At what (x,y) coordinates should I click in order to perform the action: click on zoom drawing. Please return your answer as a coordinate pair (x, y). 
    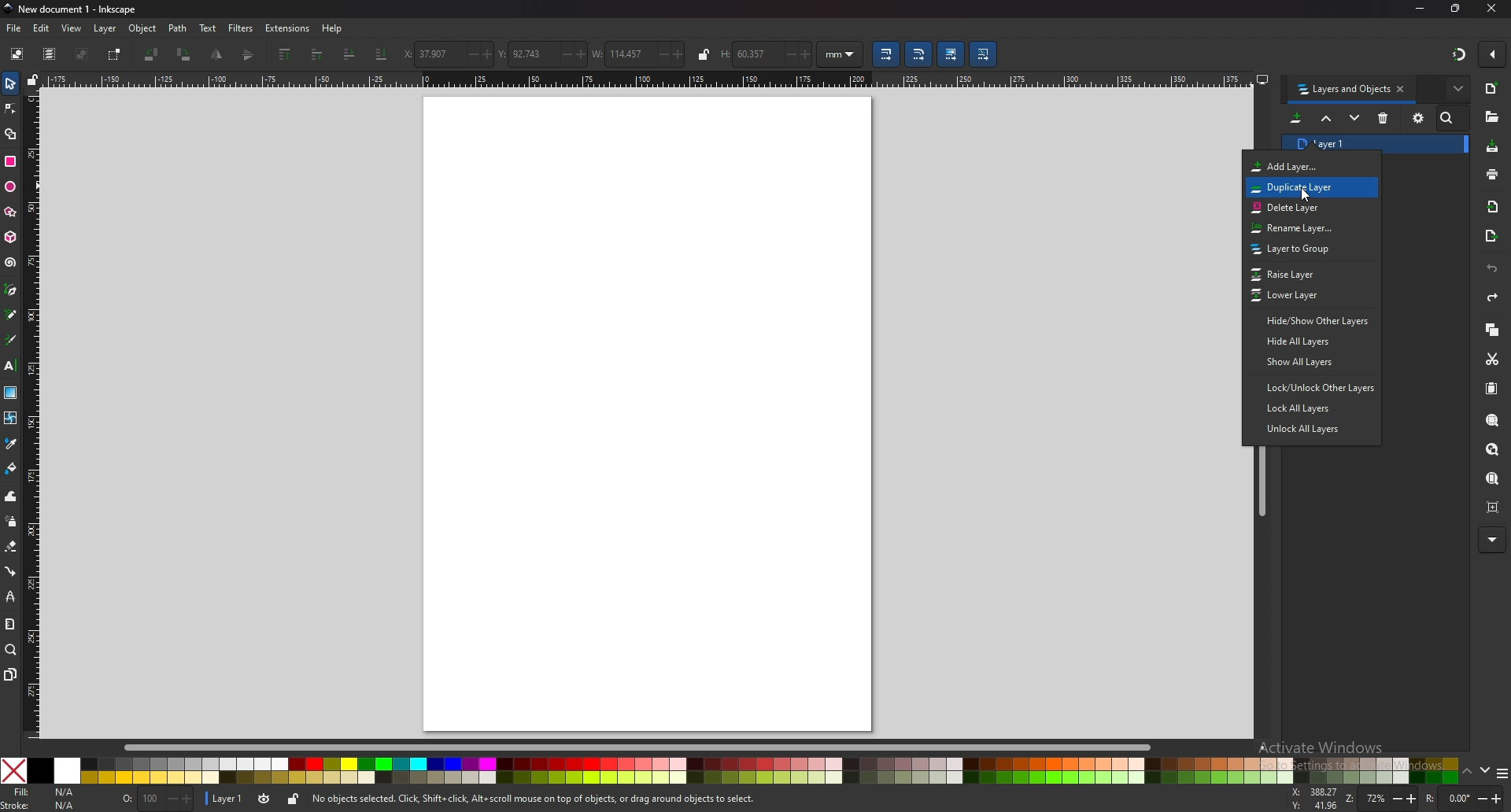
    Looking at the image, I should click on (1493, 448).